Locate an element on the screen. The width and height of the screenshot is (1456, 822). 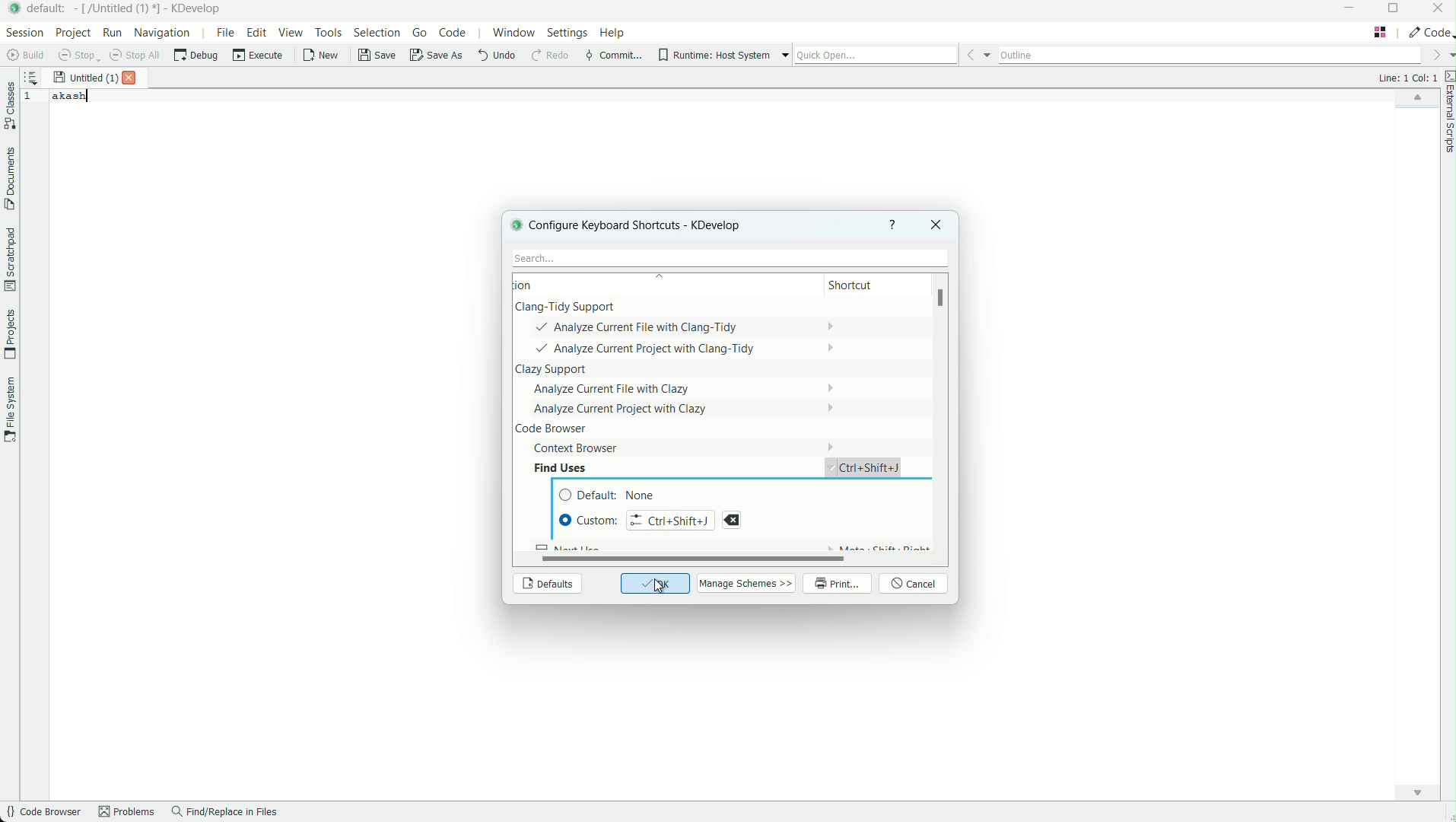
projects is located at coordinates (9, 335).